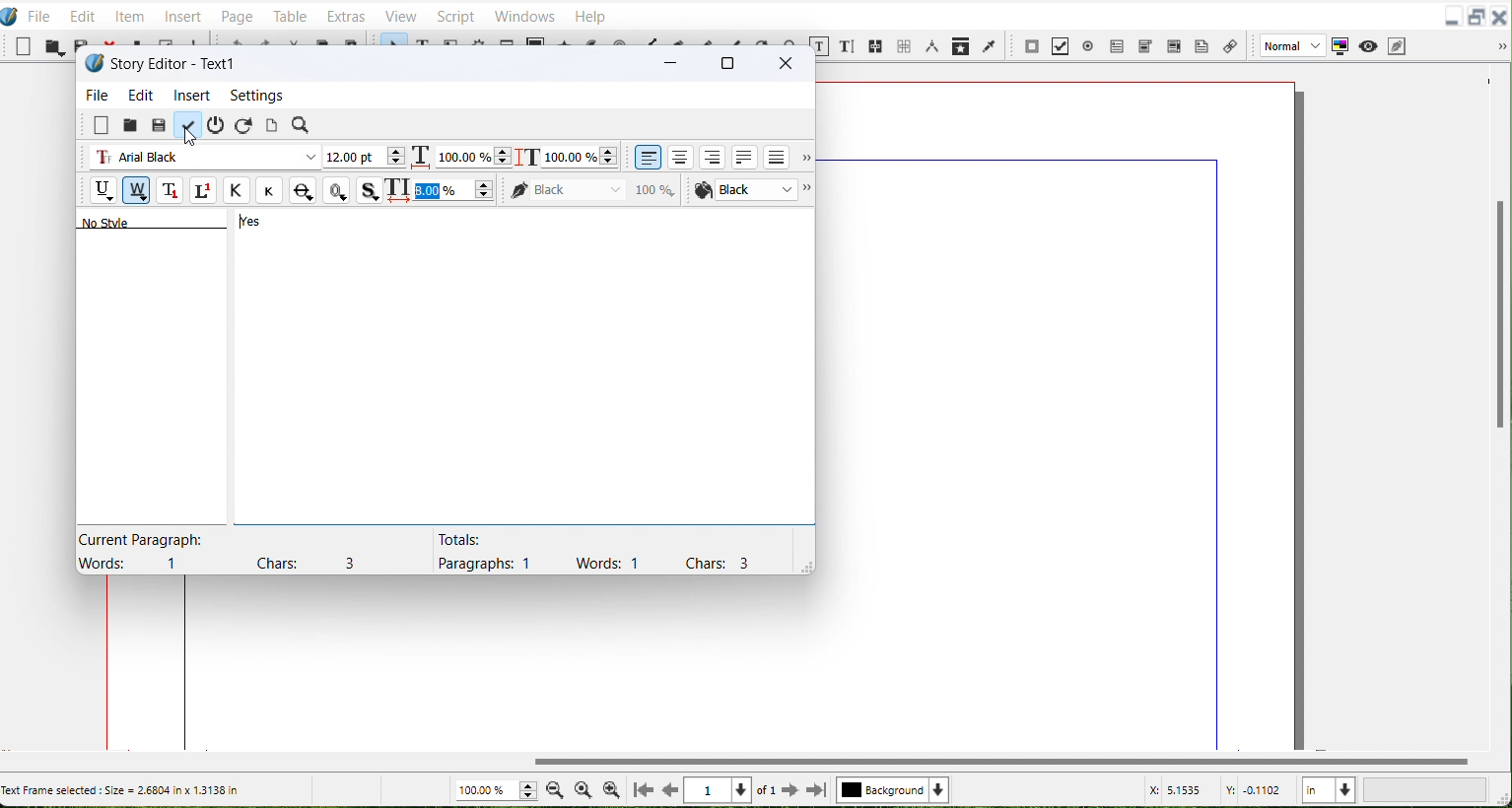 This screenshot has height=808, width=1512. Describe the element at coordinates (141, 97) in the screenshot. I see `Edit` at that location.